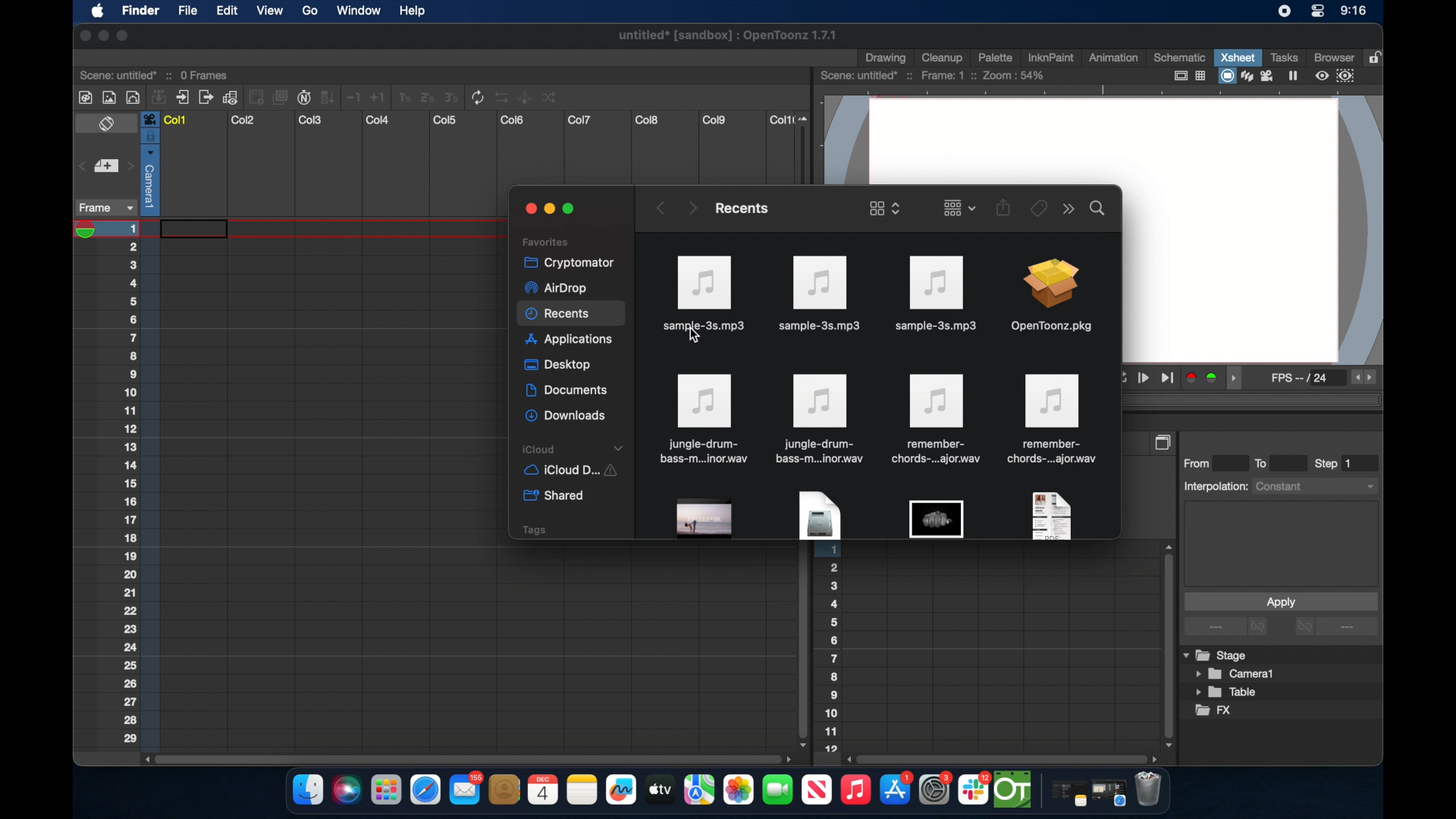 The width and height of the screenshot is (1456, 819). Describe the element at coordinates (1114, 58) in the screenshot. I see `animation` at that location.